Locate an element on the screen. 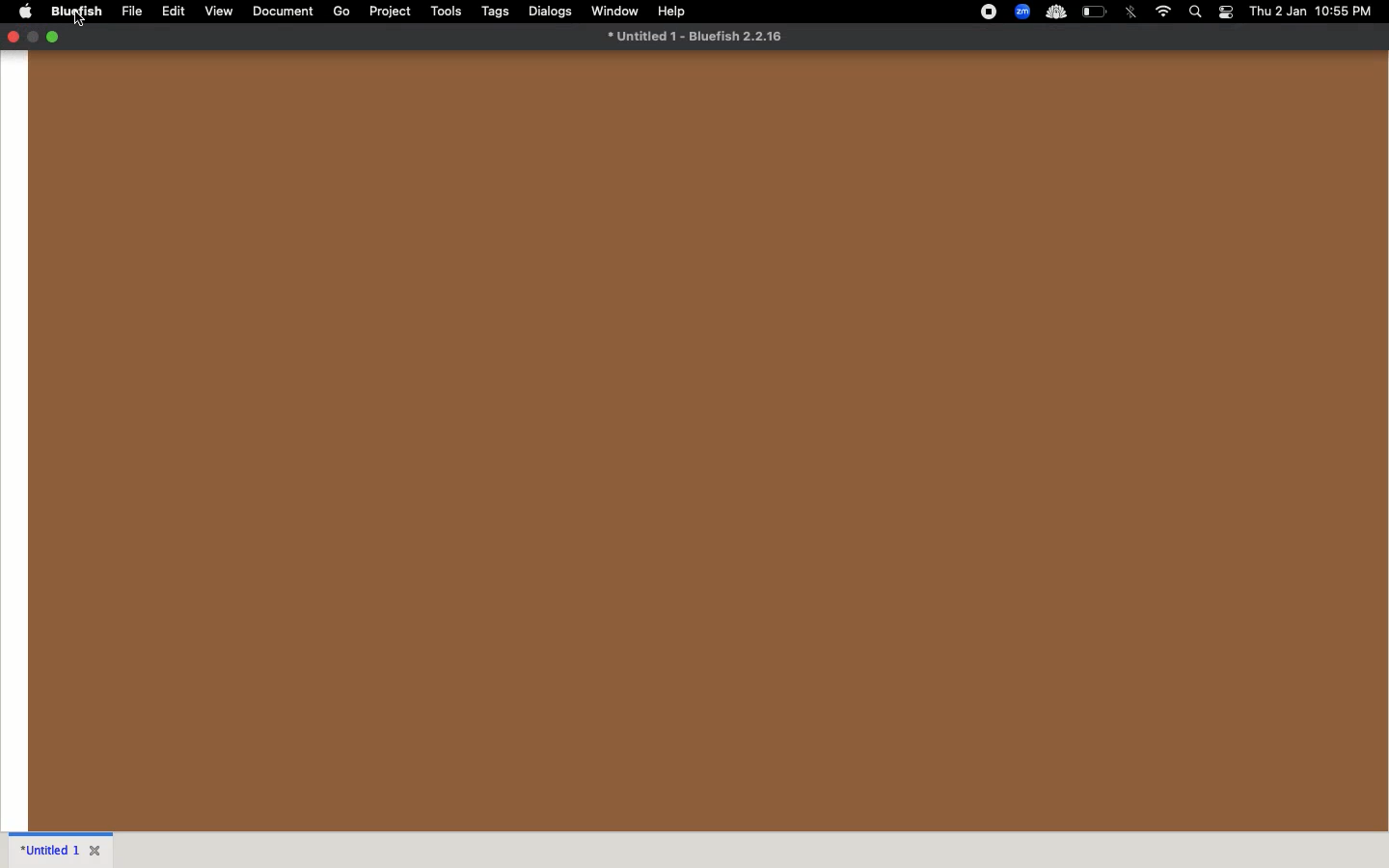 The height and width of the screenshot is (868, 1389). close is located at coordinates (13, 36).